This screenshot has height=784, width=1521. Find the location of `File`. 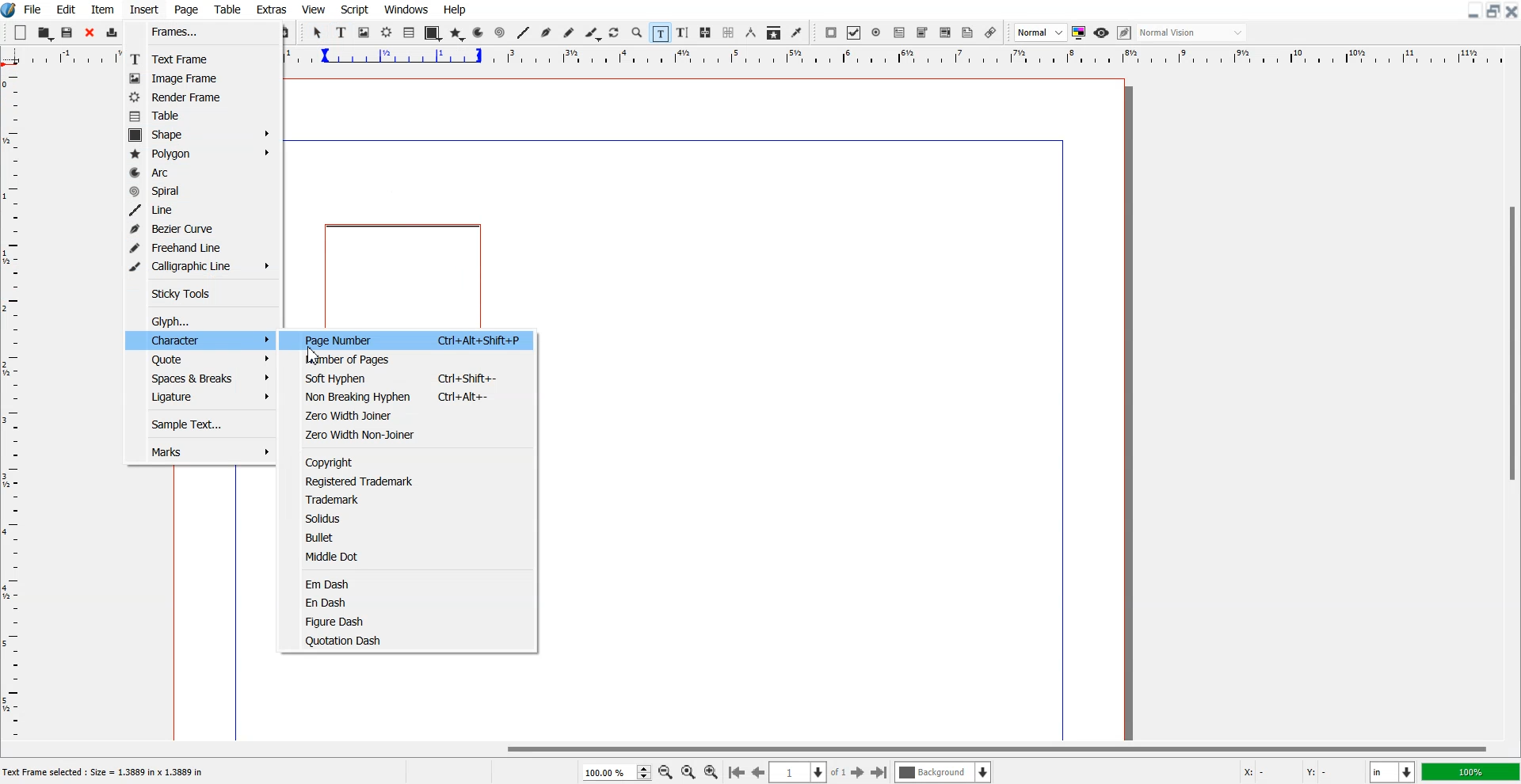

File is located at coordinates (34, 9).